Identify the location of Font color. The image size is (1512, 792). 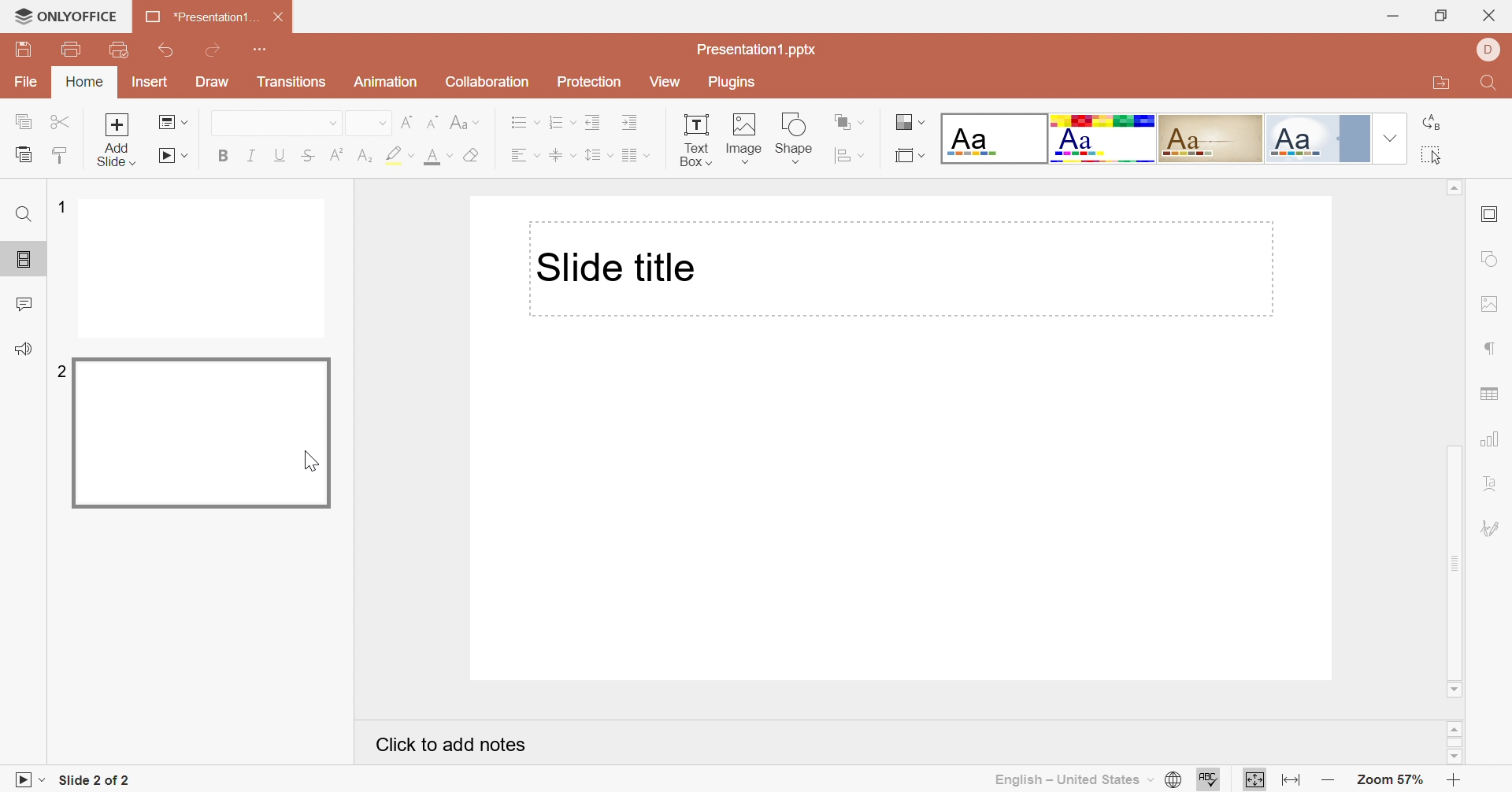
(439, 156).